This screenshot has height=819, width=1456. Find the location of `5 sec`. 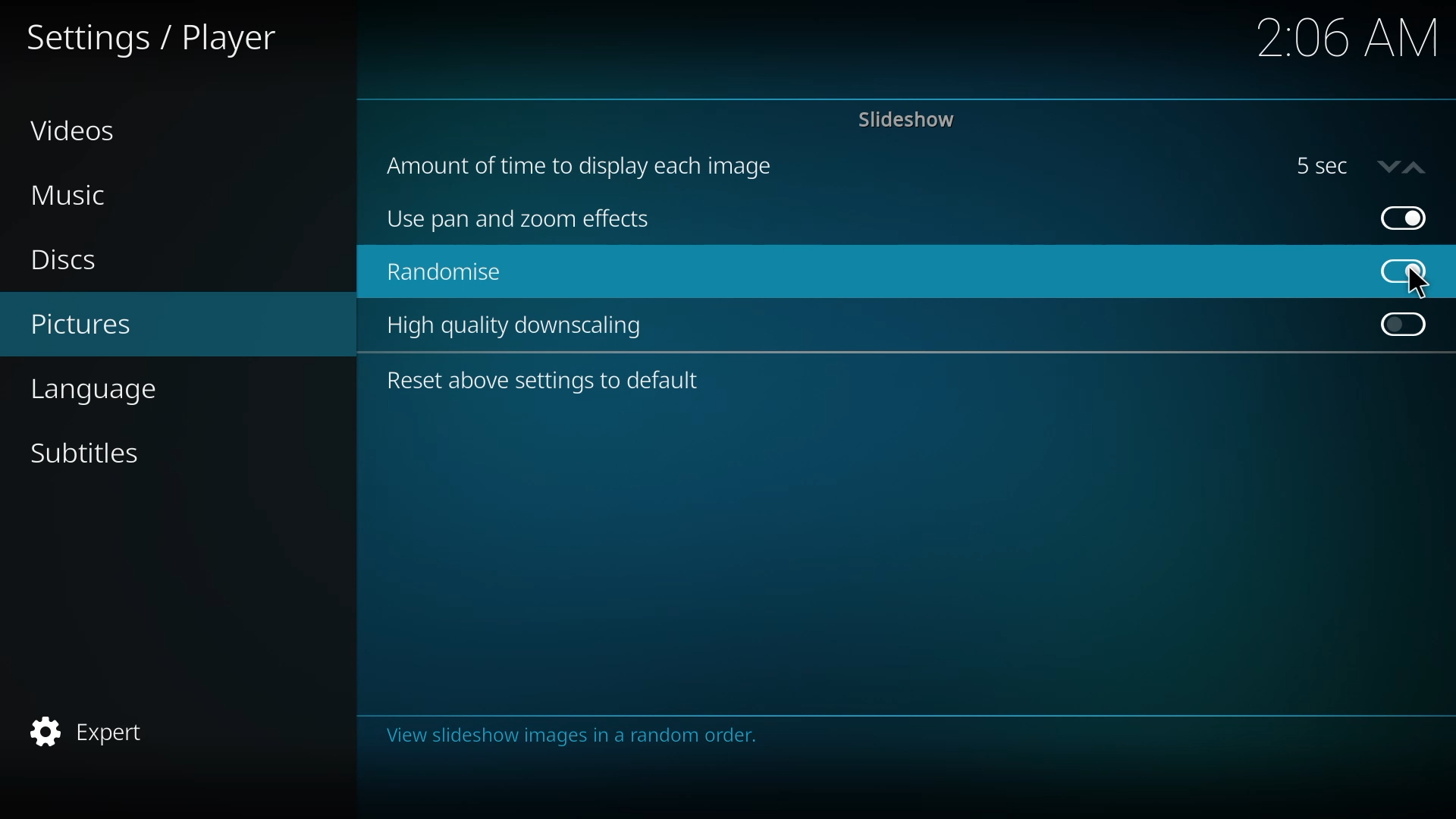

5 sec is located at coordinates (1366, 165).